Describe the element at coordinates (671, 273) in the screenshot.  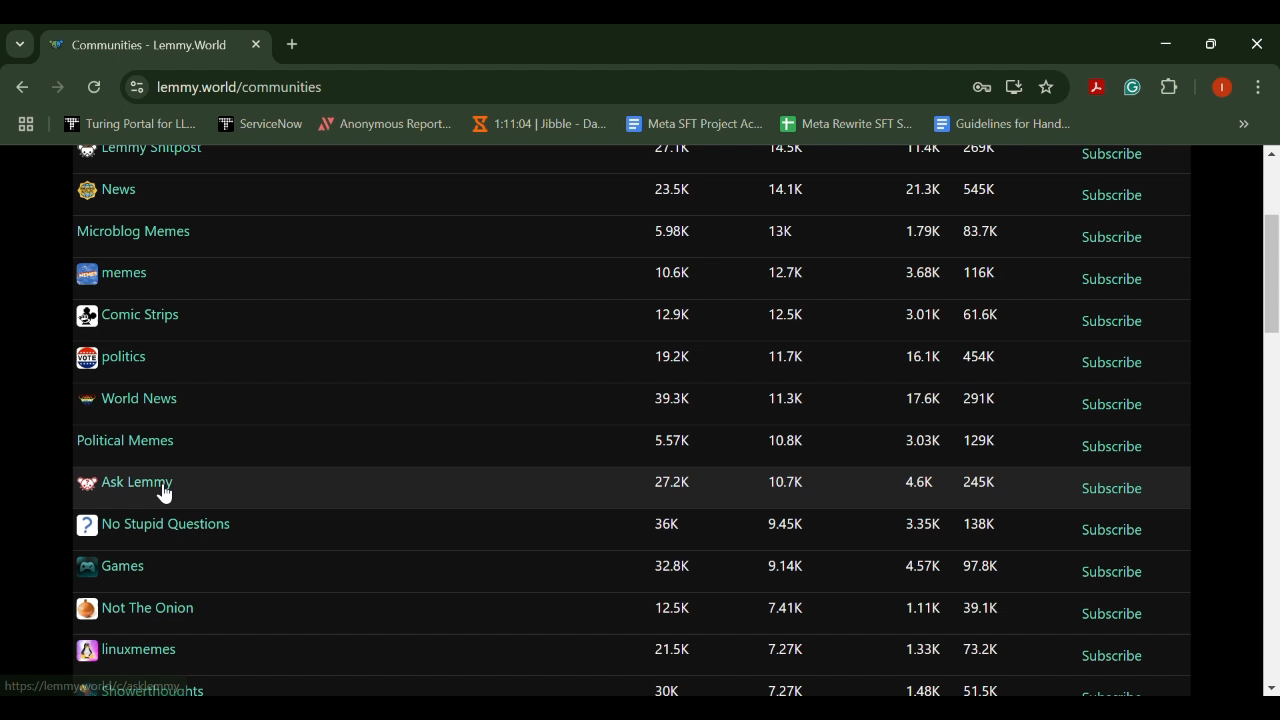
I see `10.6K` at that location.